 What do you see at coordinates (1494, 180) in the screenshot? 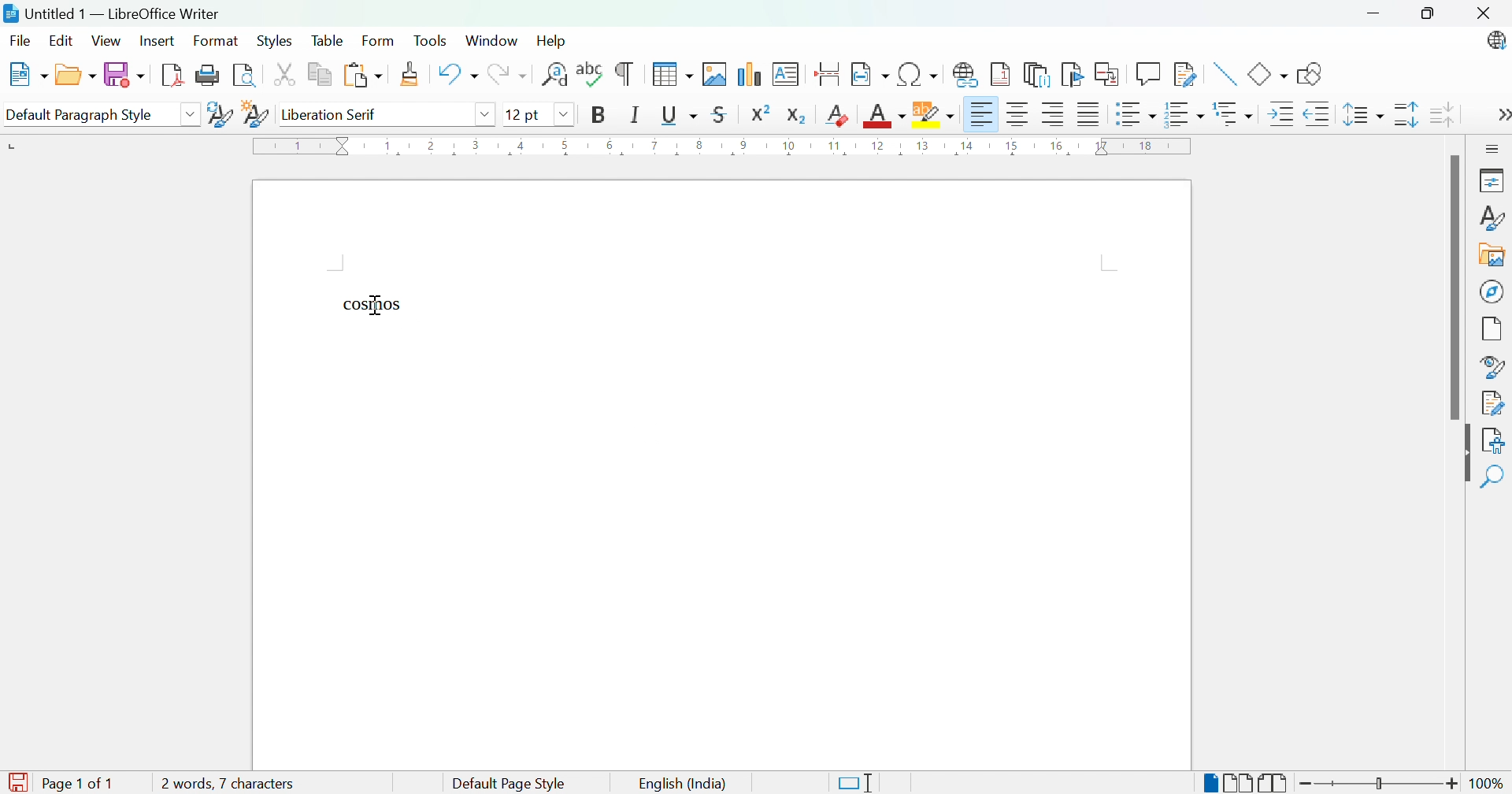
I see `Properties` at bounding box center [1494, 180].